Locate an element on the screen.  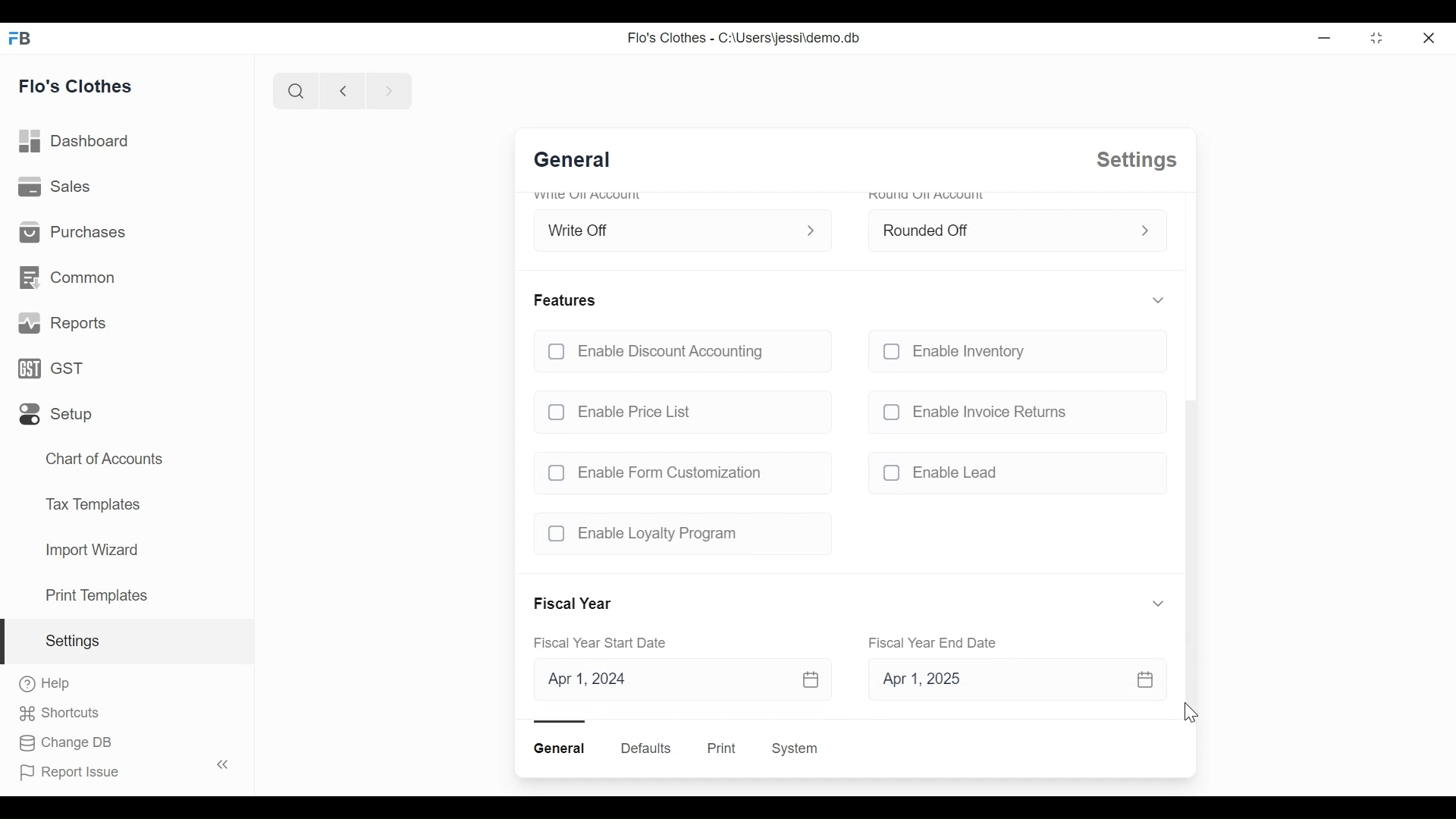
Restore is located at coordinates (1376, 37).